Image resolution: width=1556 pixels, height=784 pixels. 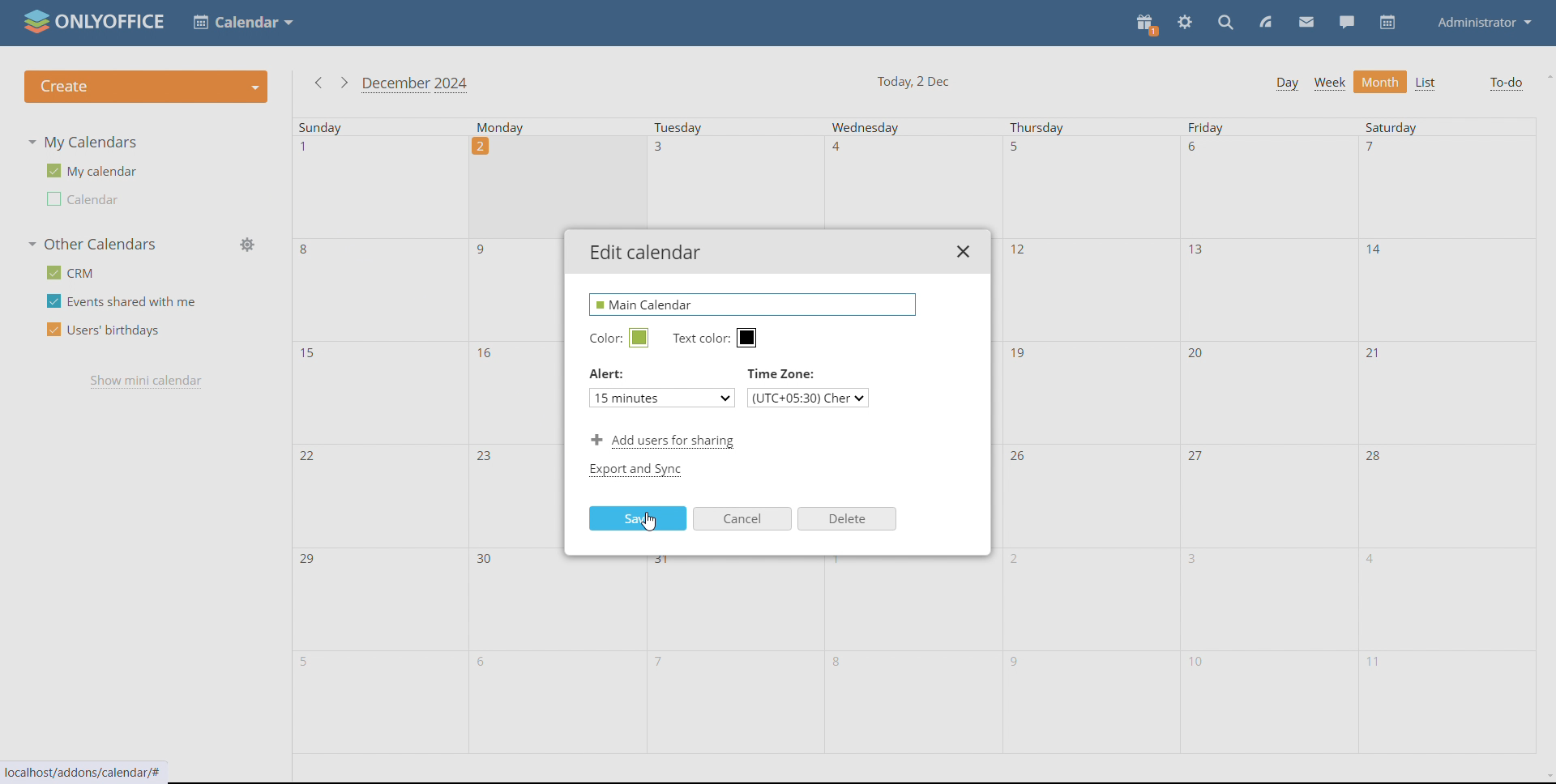 What do you see at coordinates (909, 656) in the screenshot?
I see `wednesday` at bounding box center [909, 656].